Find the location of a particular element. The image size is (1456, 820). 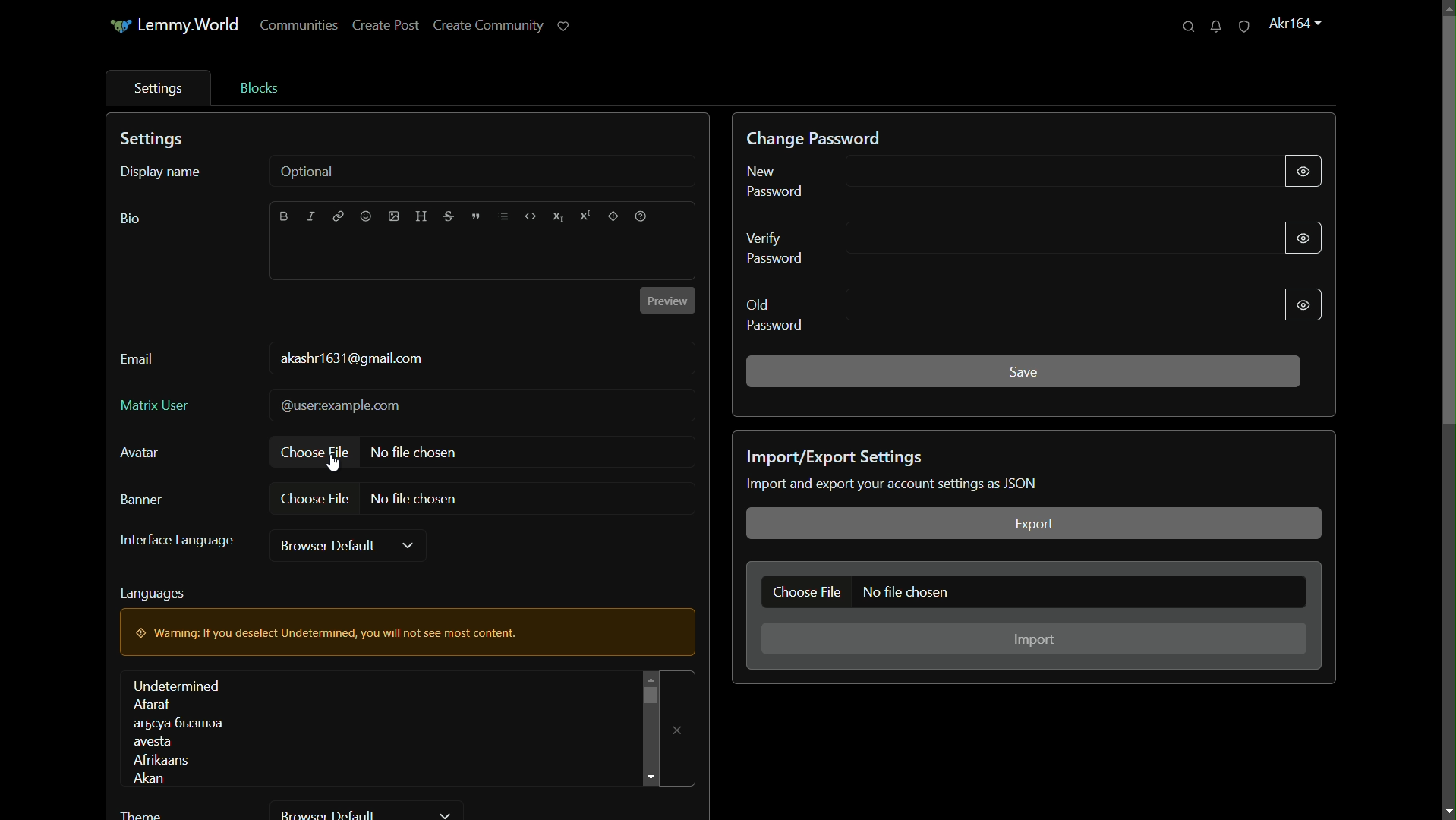

matrix user is located at coordinates (153, 404).